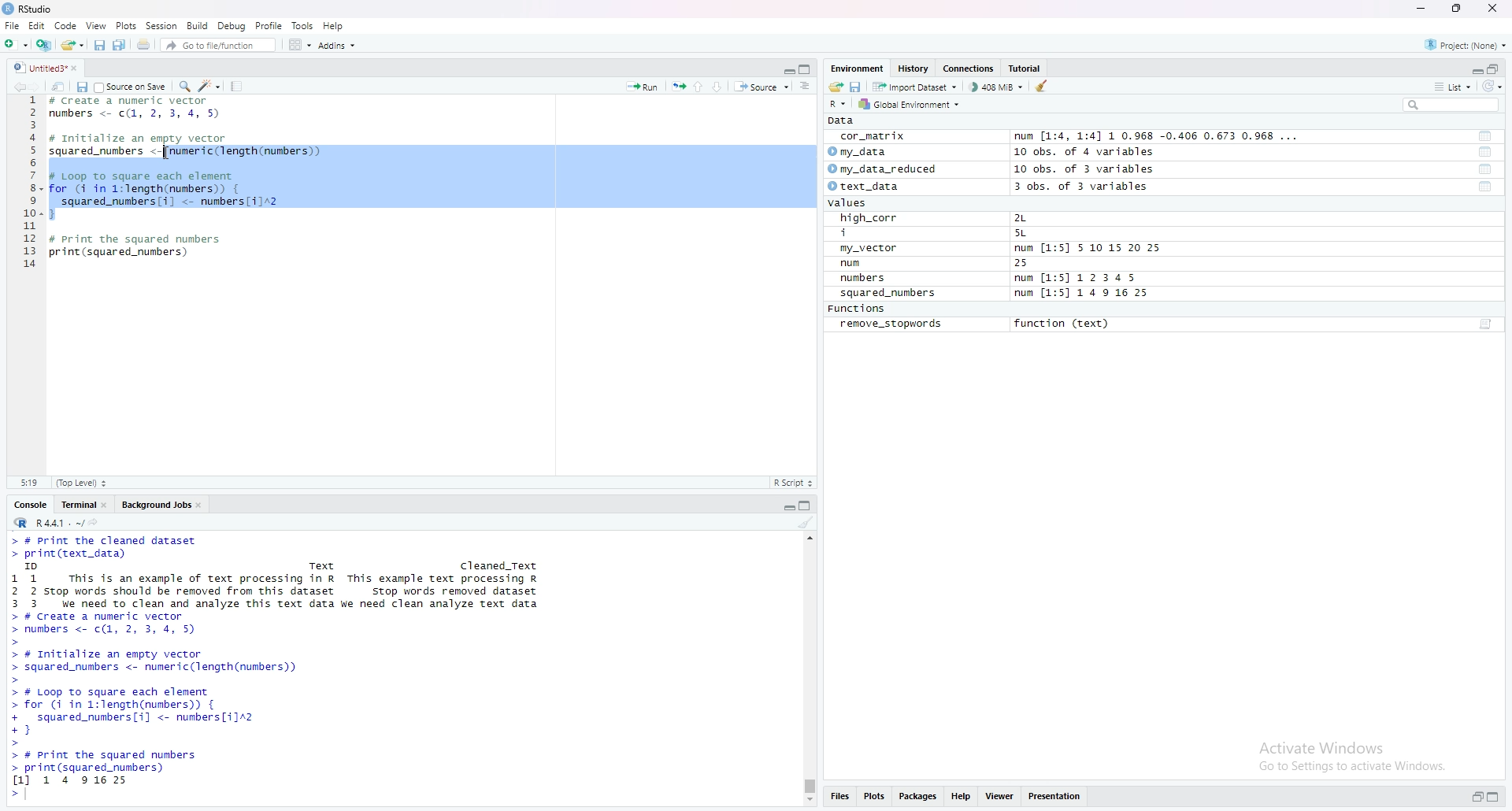  I want to click on my_vector, so click(870, 249).